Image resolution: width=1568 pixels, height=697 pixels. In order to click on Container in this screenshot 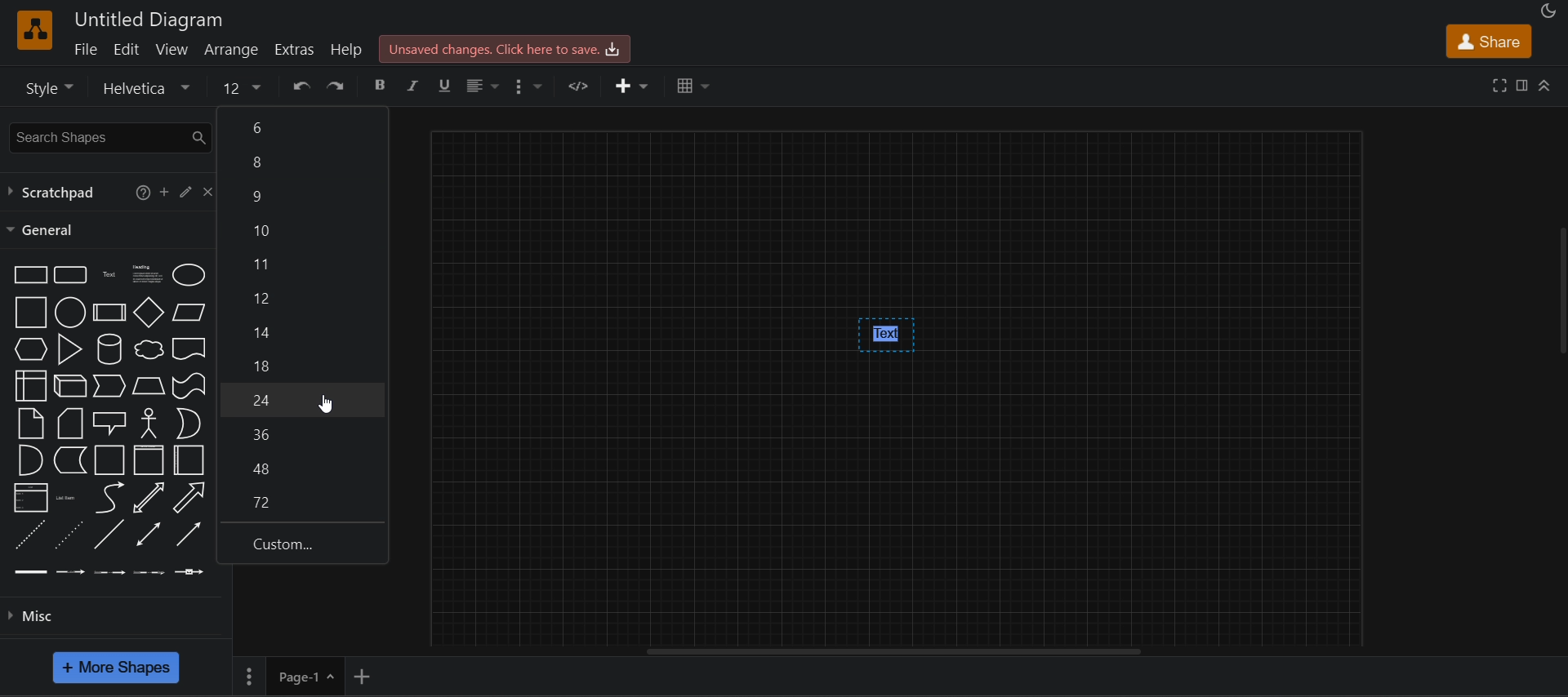, I will do `click(149, 460)`.